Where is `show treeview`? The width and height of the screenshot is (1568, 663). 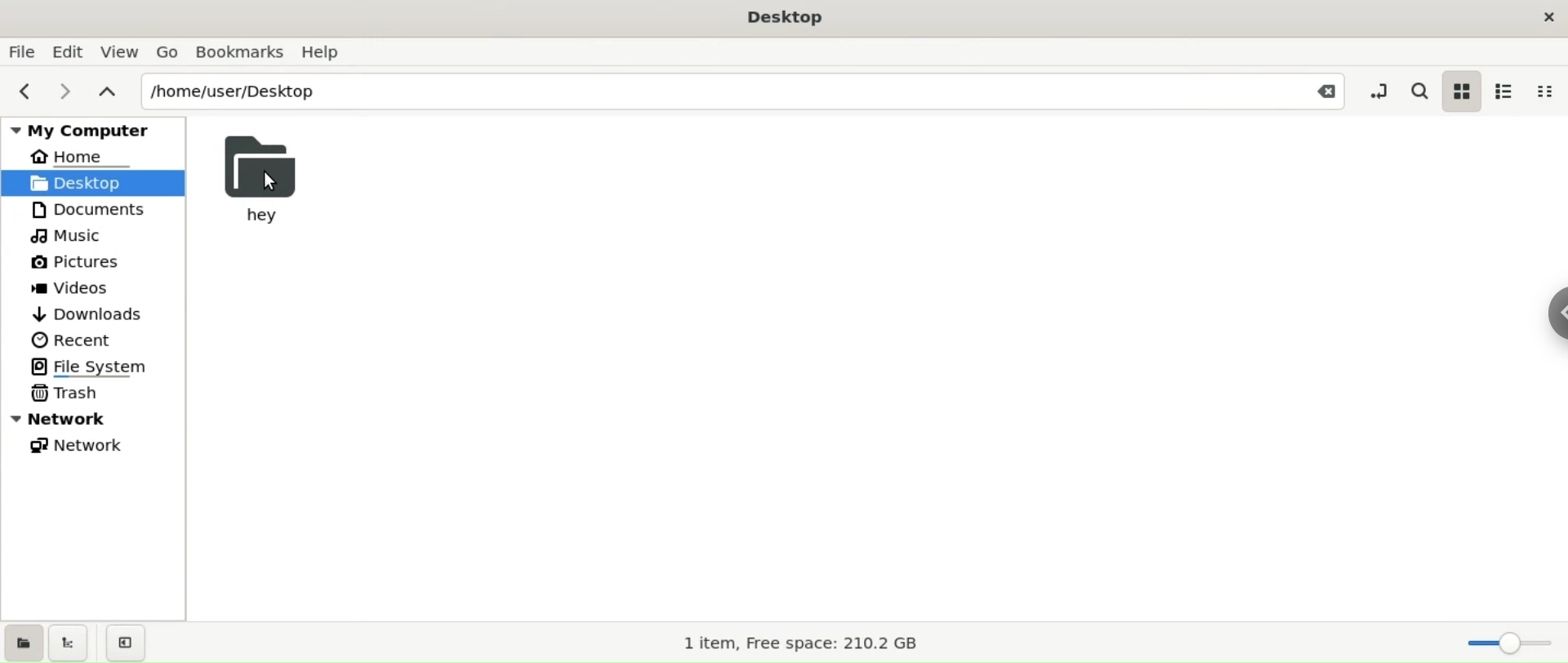 show treeview is located at coordinates (68, 642).